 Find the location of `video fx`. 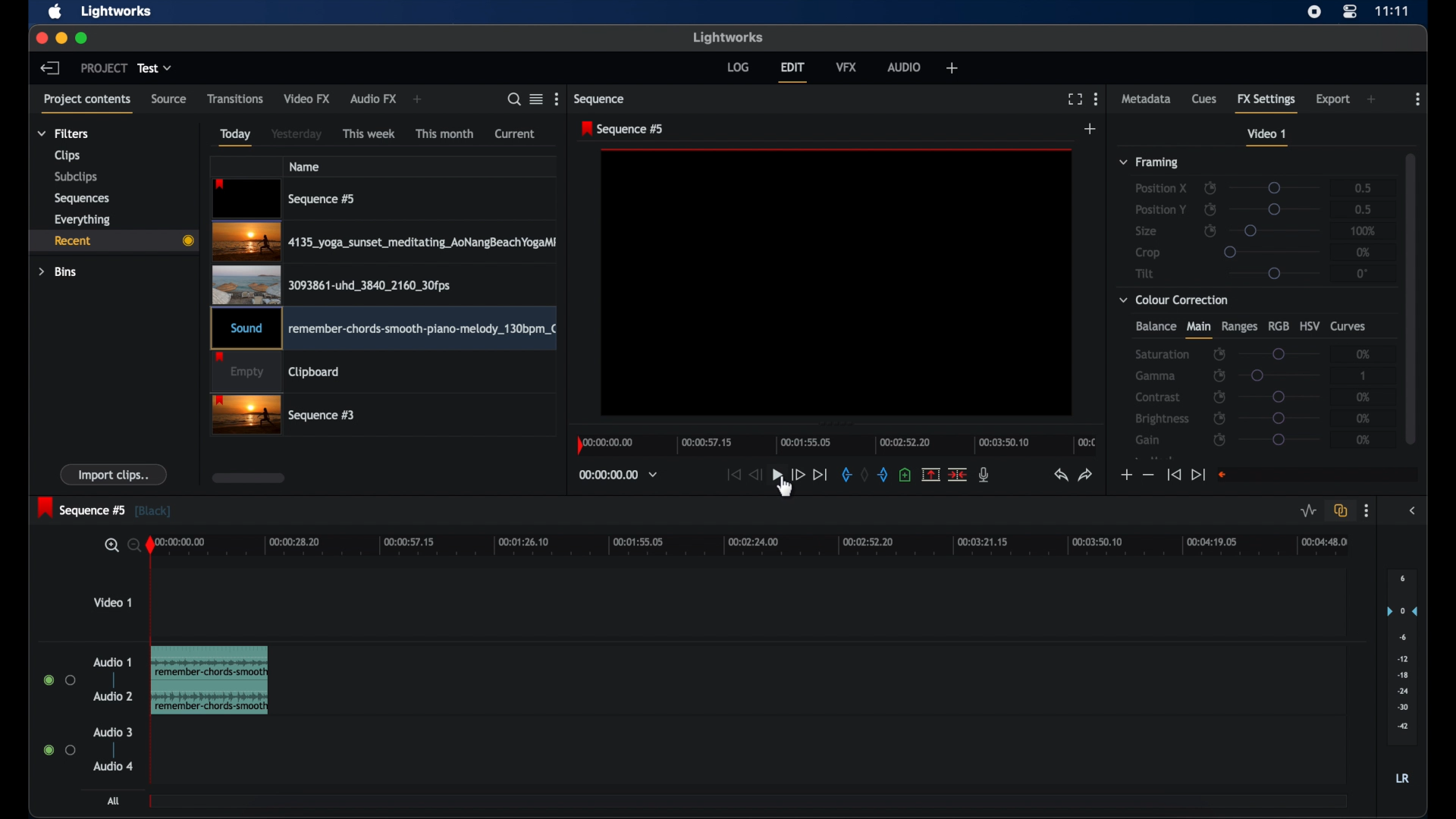

video fx is located at coordinates (308, 99).